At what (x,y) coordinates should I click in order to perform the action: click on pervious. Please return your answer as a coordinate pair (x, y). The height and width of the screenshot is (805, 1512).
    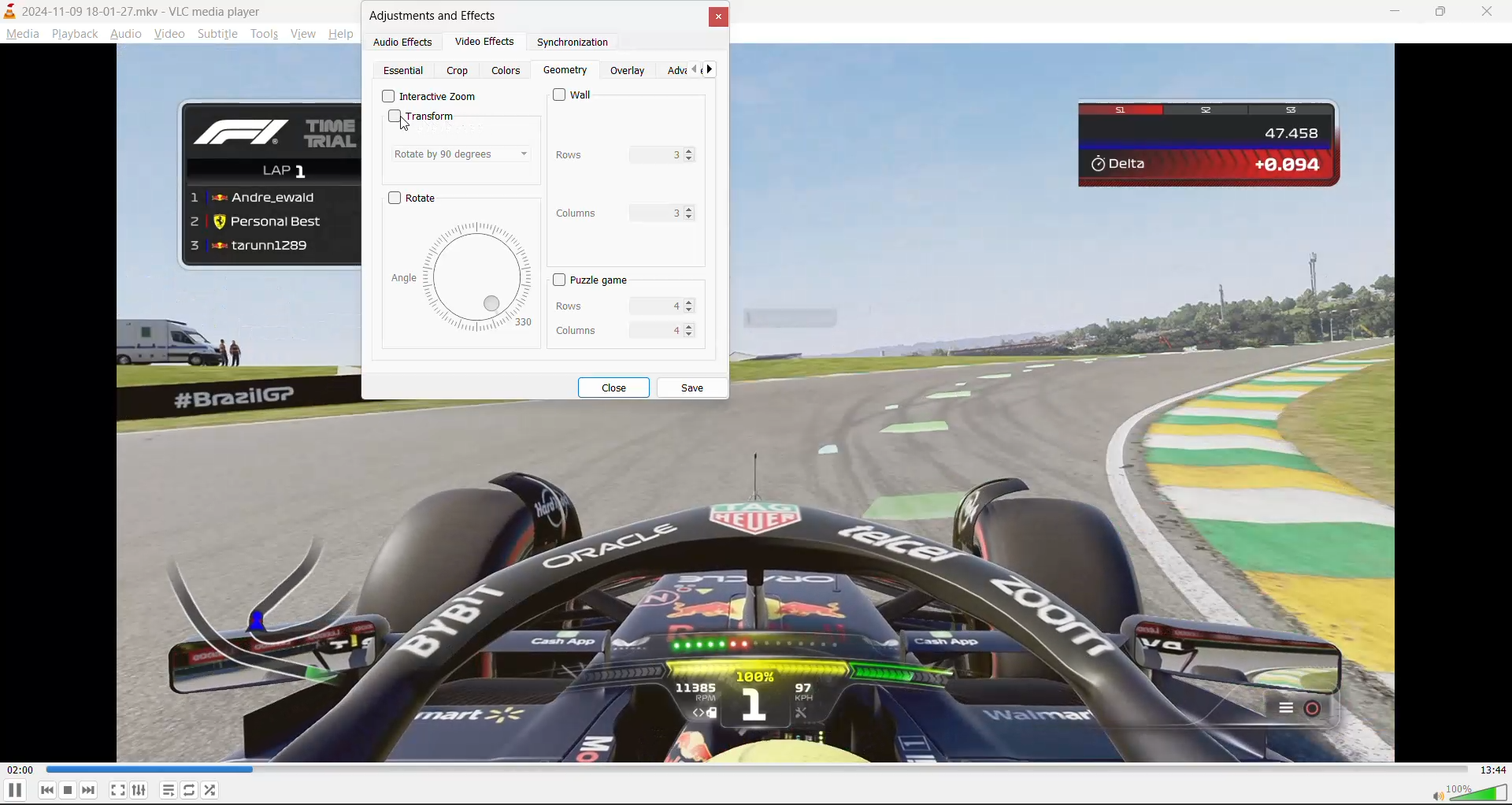
    Looking at the image, I should click on (692, 70).